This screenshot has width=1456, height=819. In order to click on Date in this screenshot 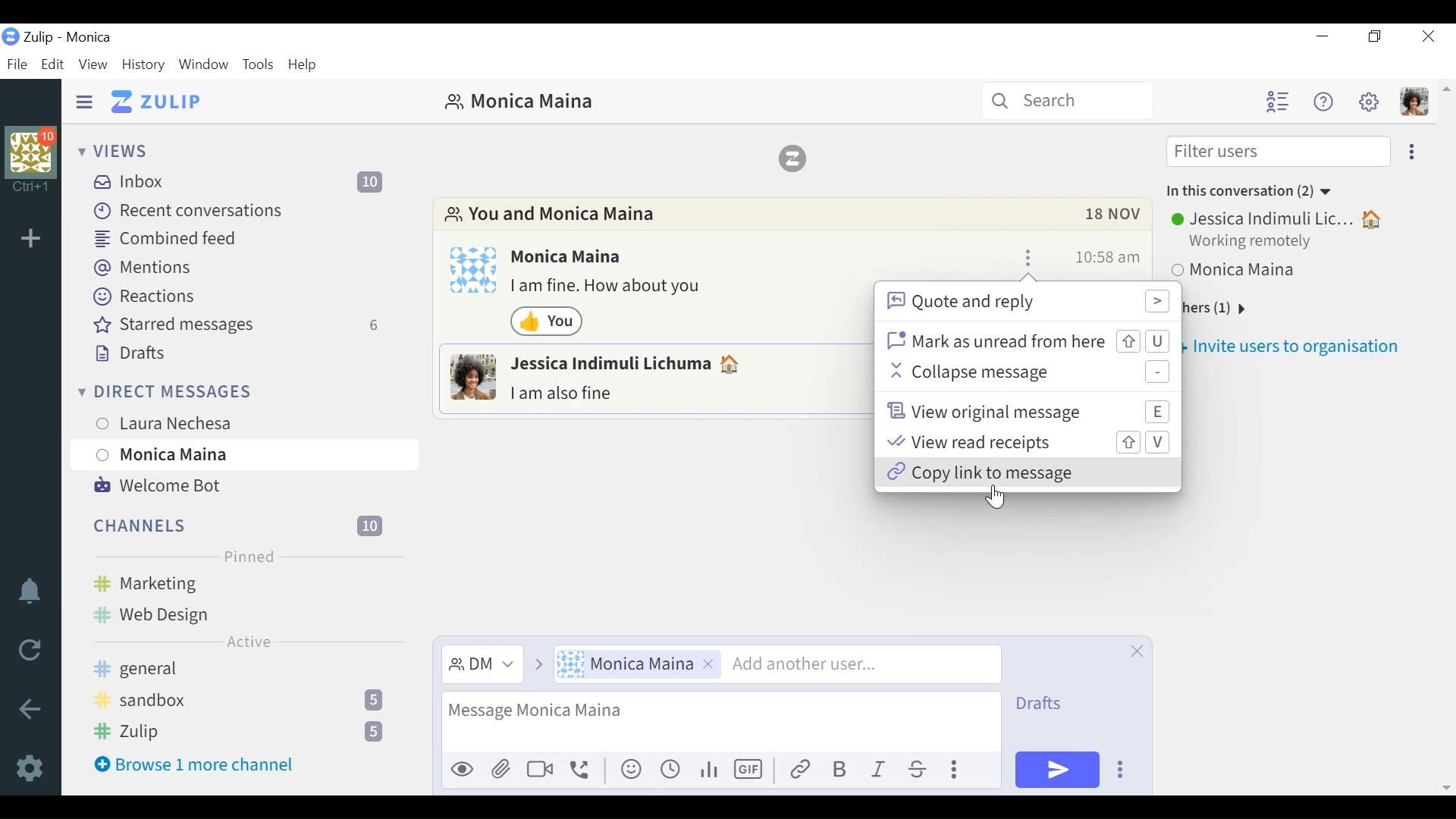, I will do `click(1114, 218)`.